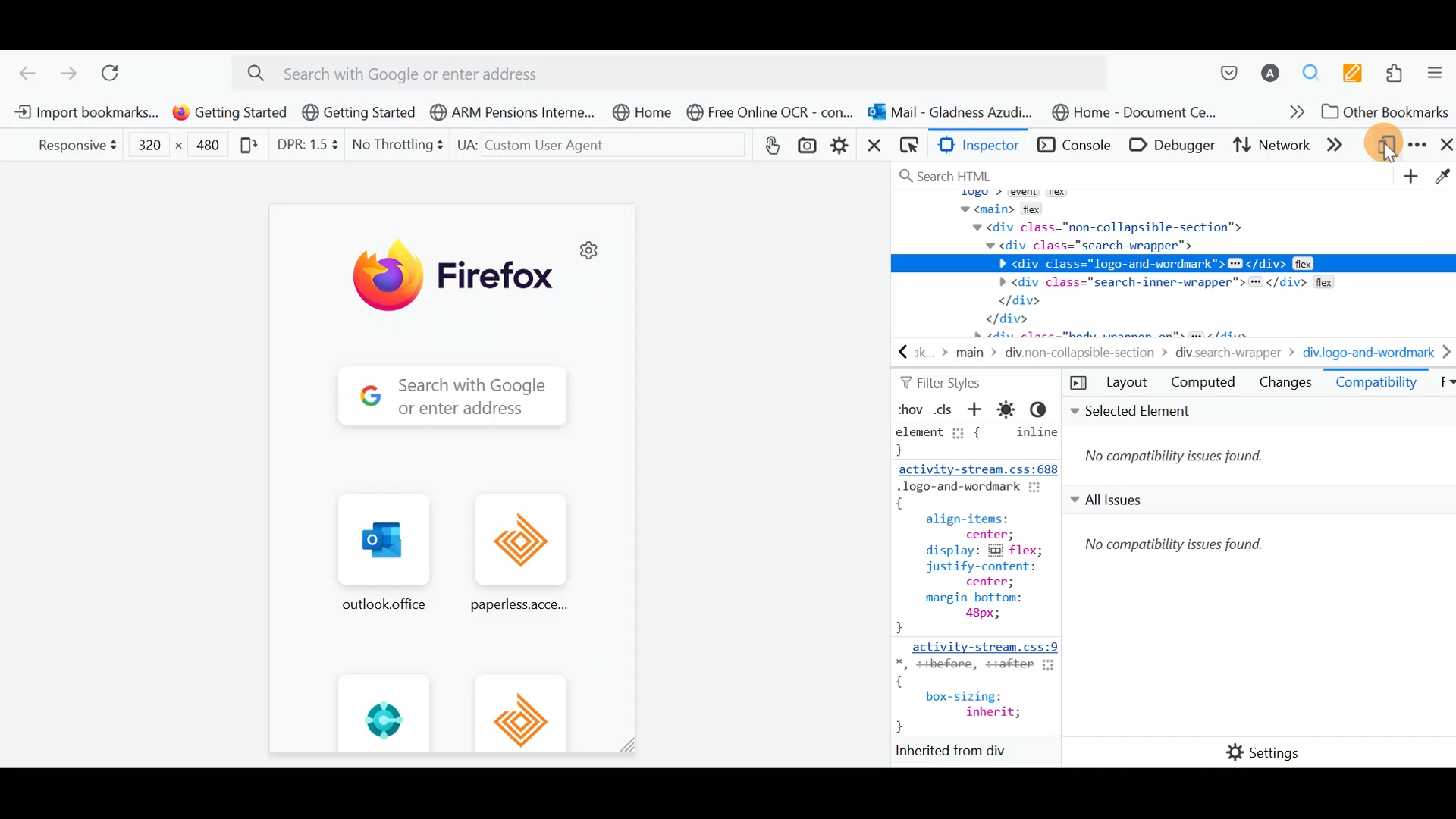  What do you see at coordinates (946, 383) in the screenshot?
I see `Filter styles` at bounding box center [946, 383].